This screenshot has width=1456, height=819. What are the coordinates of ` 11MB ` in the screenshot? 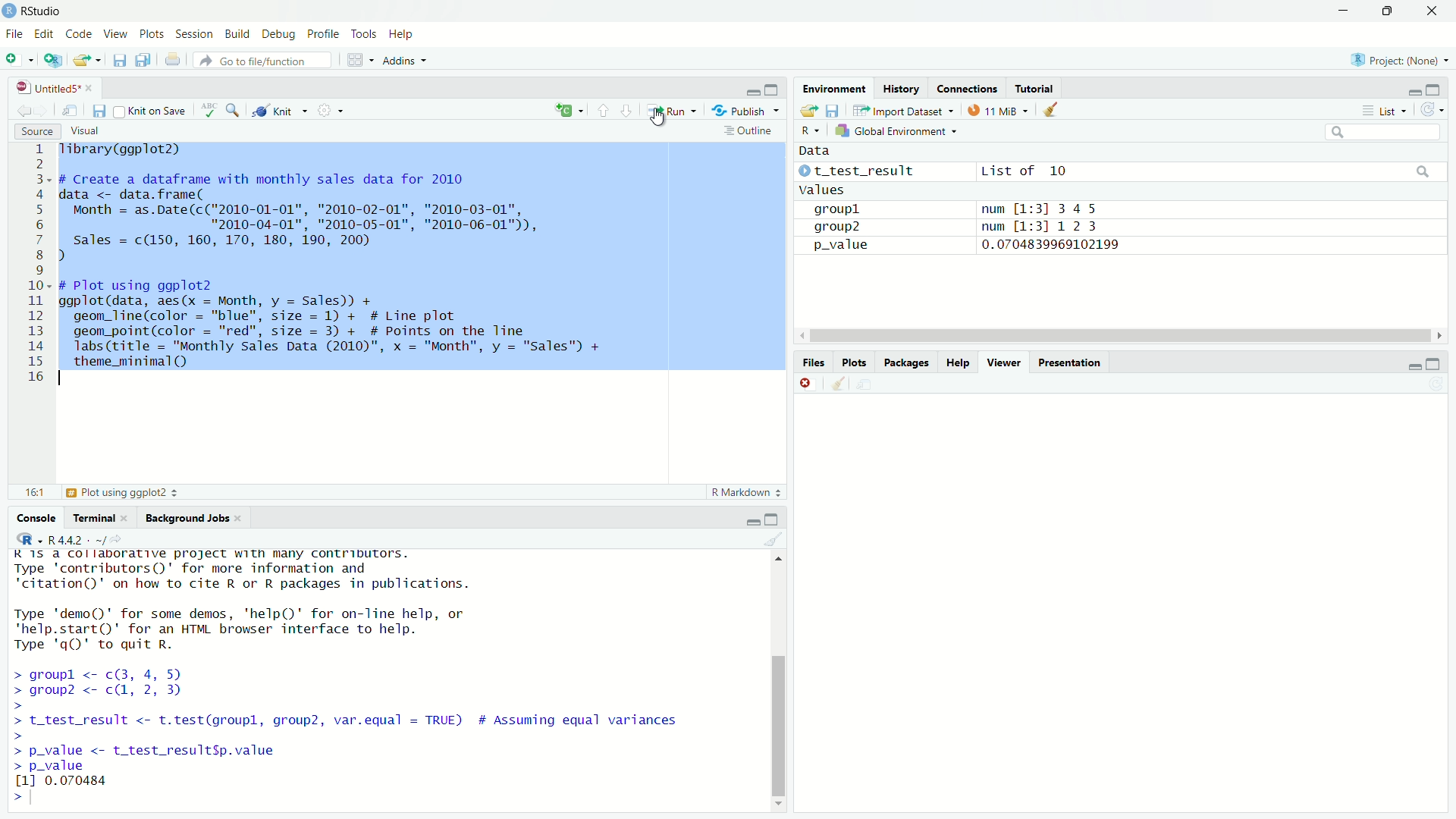 It's located at (998, 110).